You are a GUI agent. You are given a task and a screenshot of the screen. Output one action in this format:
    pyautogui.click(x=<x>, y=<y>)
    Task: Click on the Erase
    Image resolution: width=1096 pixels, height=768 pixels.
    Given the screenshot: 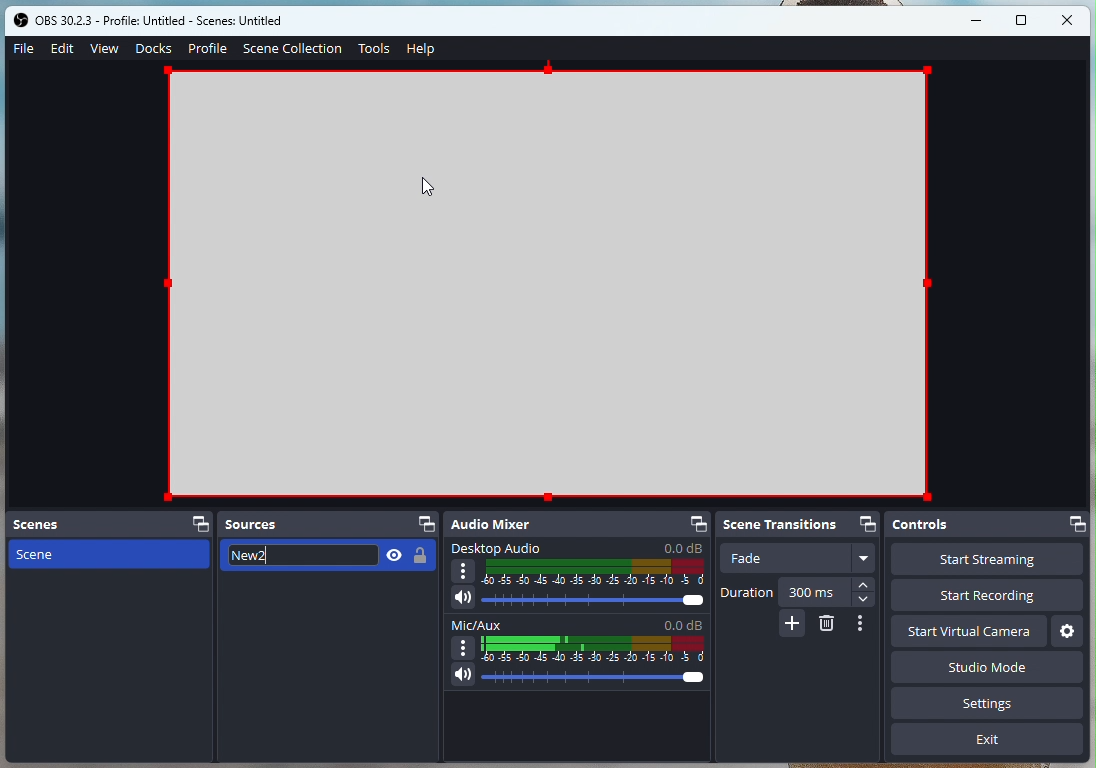 What is the action you would take?
    pyautogui.click(x=827, y=625)
    